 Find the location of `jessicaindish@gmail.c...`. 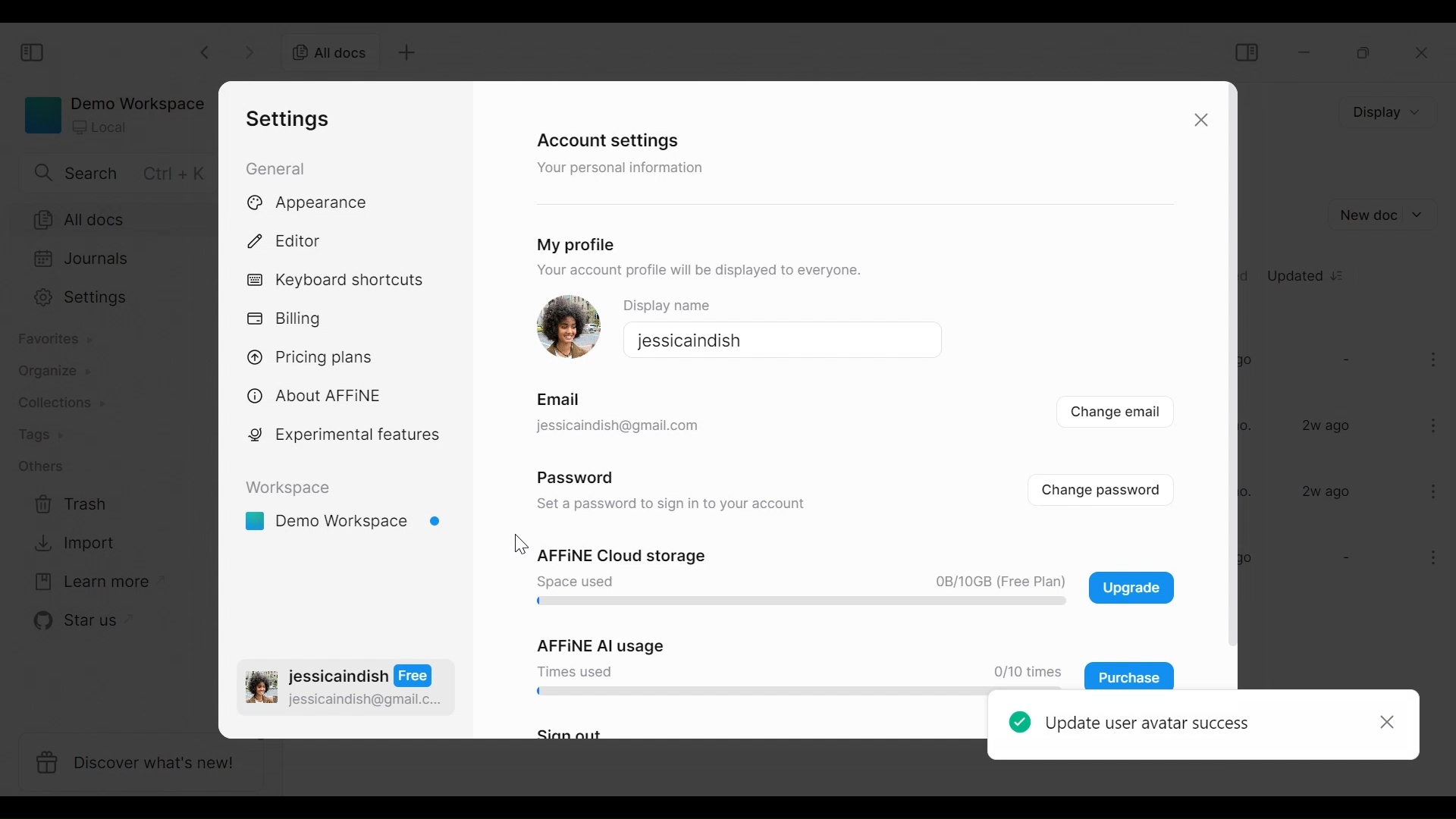

jessicaindish@gmail.c... is located at coordinates (366, 700).